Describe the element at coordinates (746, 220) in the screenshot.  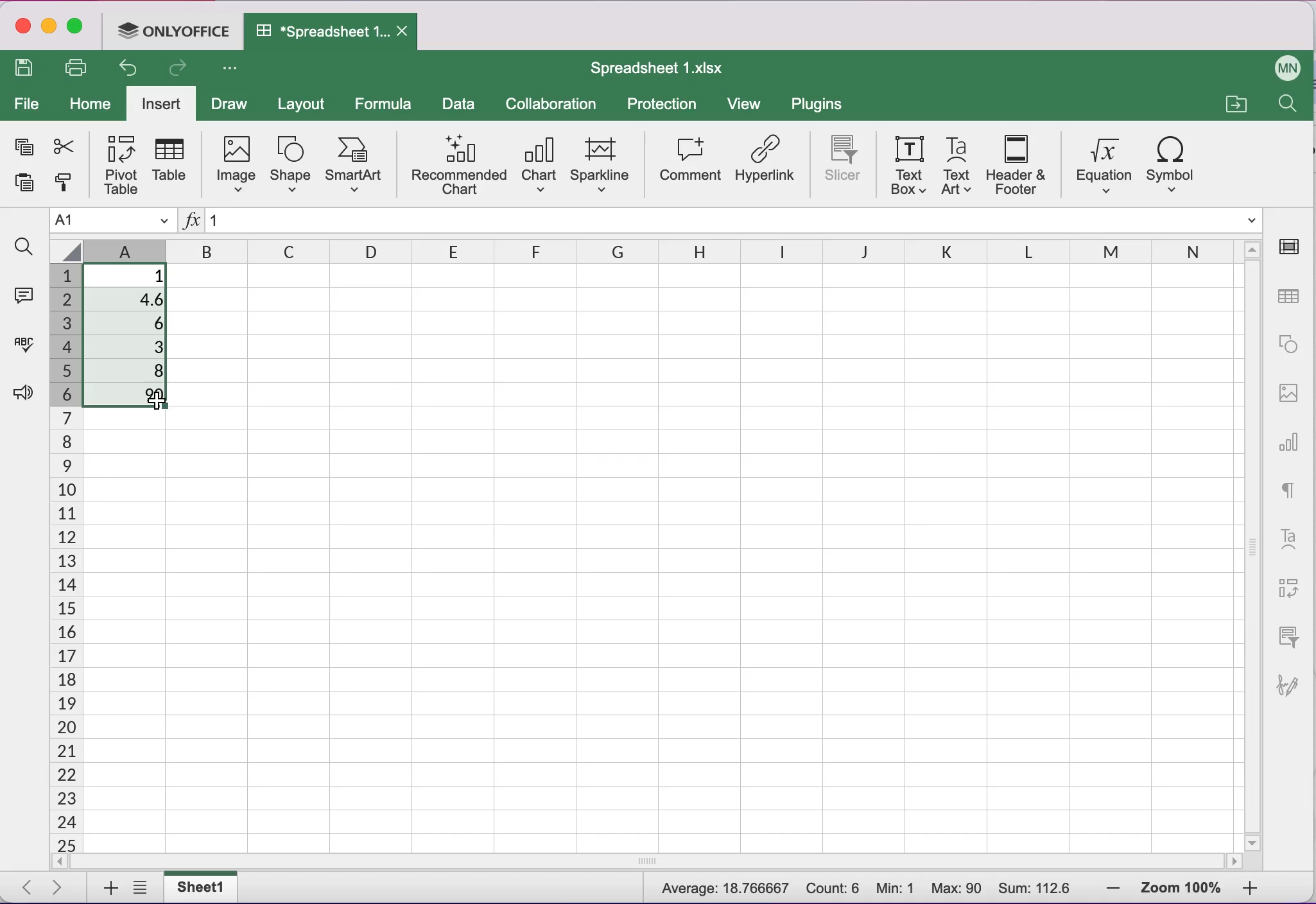
I see `Formula bar` at that location.